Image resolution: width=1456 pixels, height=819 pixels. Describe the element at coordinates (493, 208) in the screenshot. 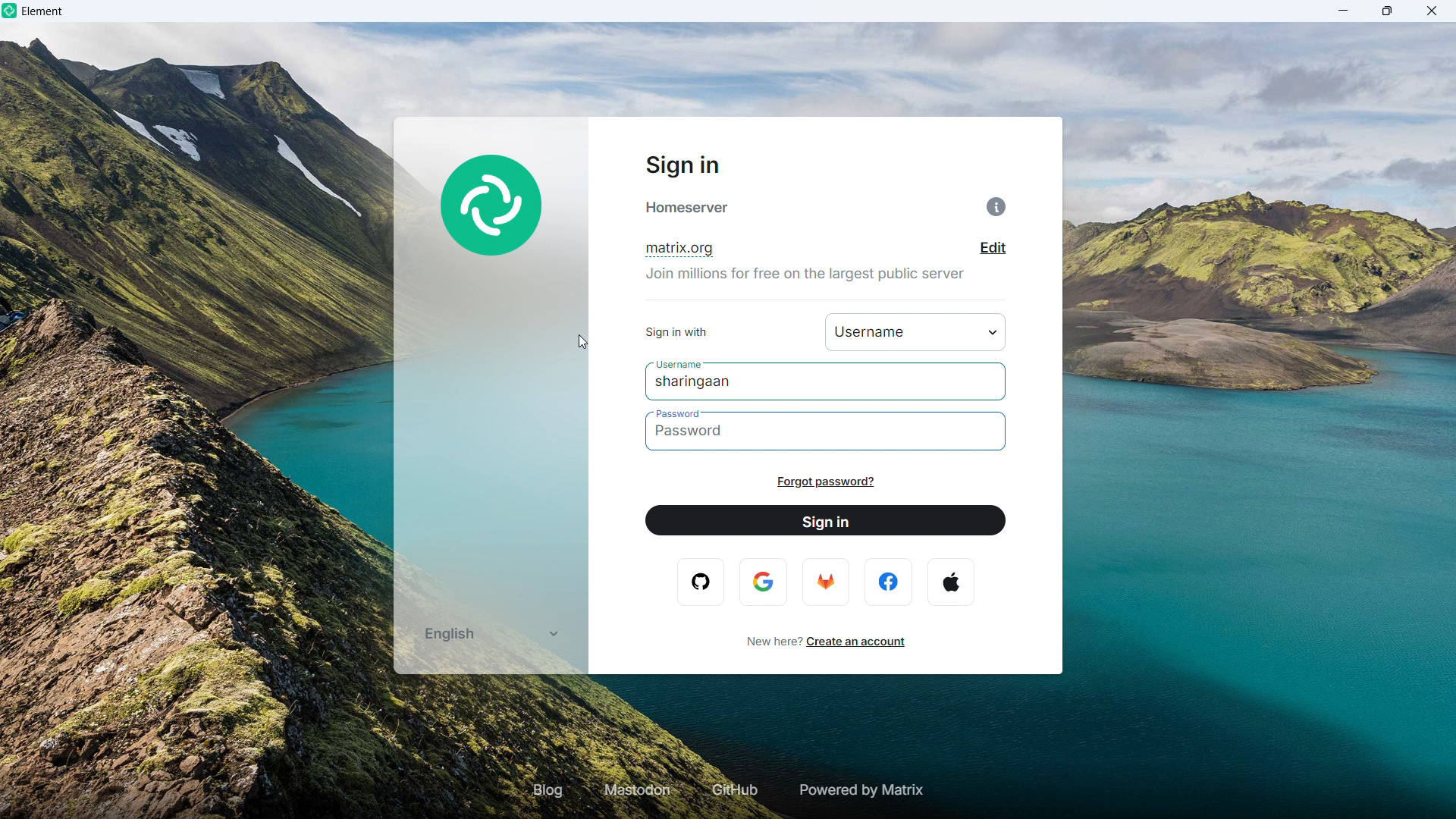

I see `element Logo ` at that location.